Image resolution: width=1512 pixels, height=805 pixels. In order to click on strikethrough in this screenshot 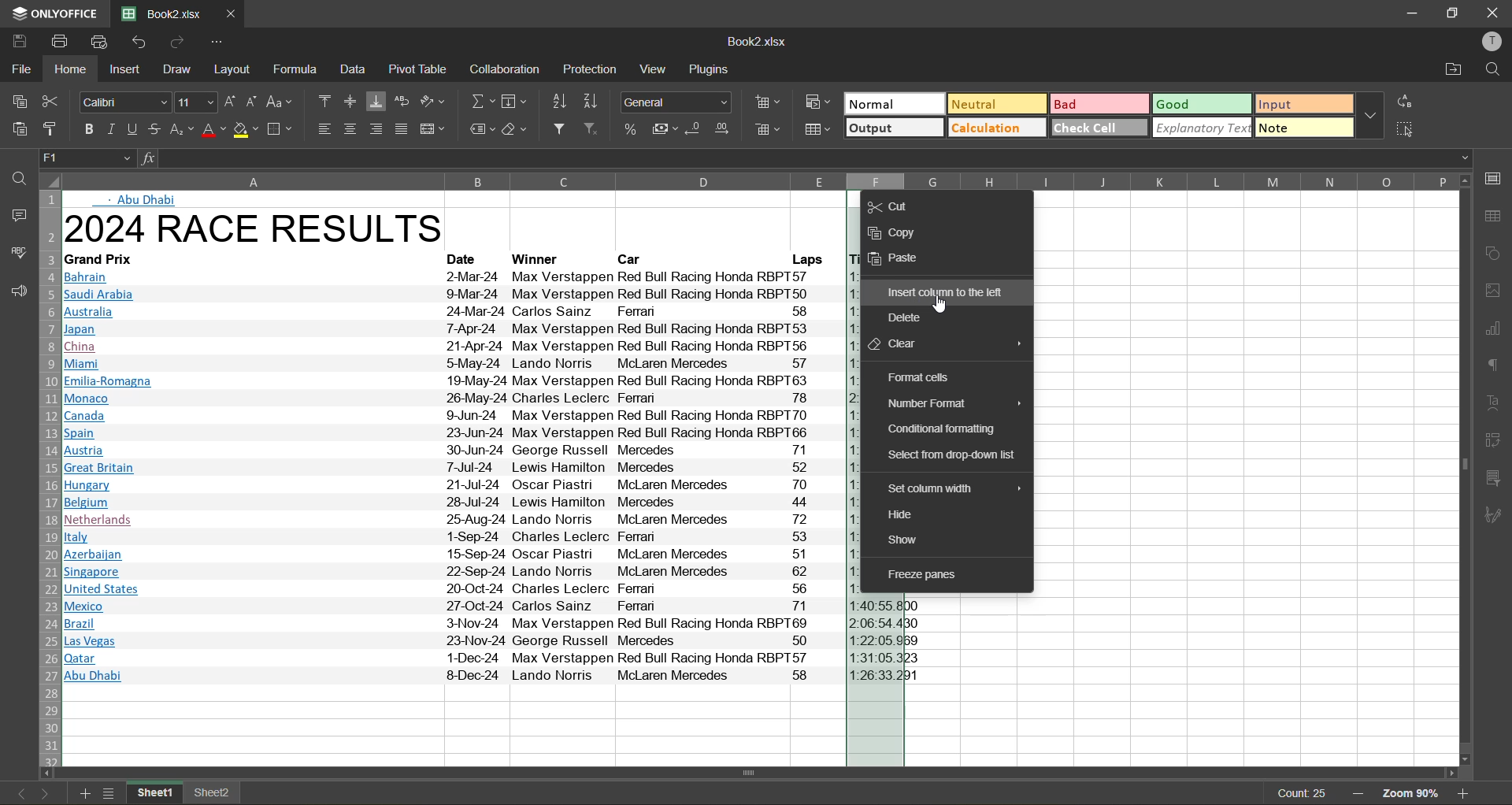, I will do `click(156, 130)`.